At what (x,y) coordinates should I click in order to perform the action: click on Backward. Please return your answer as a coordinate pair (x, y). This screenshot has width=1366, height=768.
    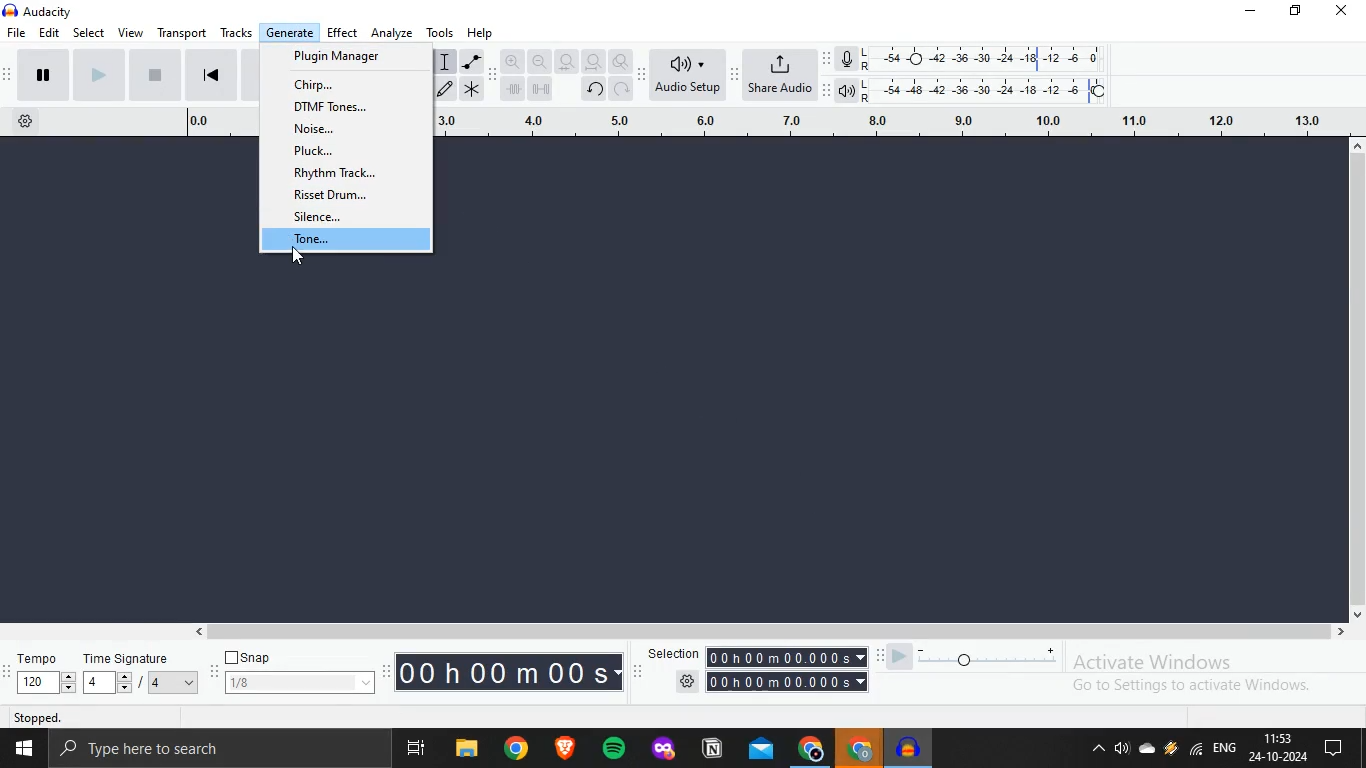
    Looking at the image, I should click on (216, 76).